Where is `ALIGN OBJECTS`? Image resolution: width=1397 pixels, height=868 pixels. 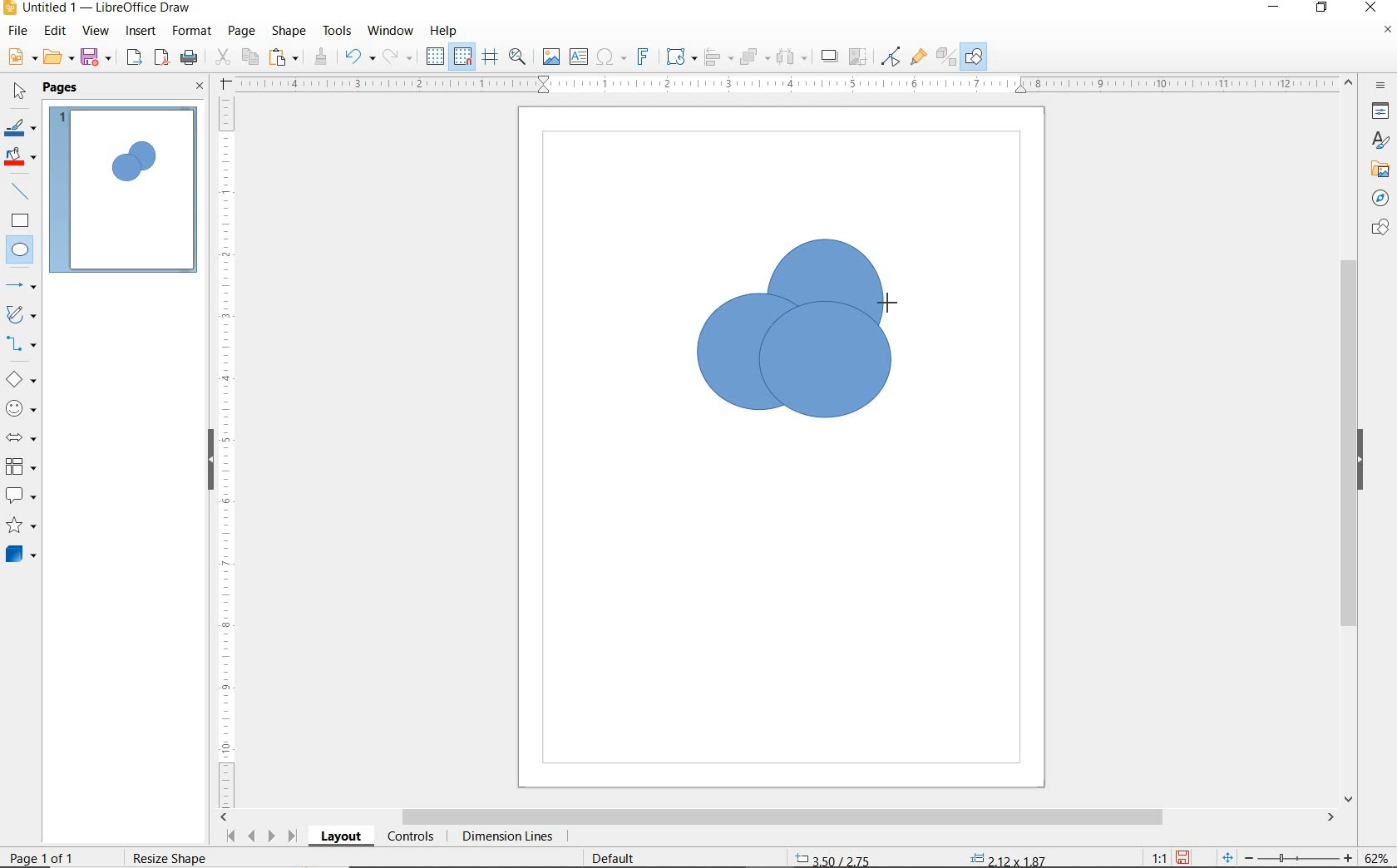 ALIGN OBJECTS is located at coordinates (717, 59).